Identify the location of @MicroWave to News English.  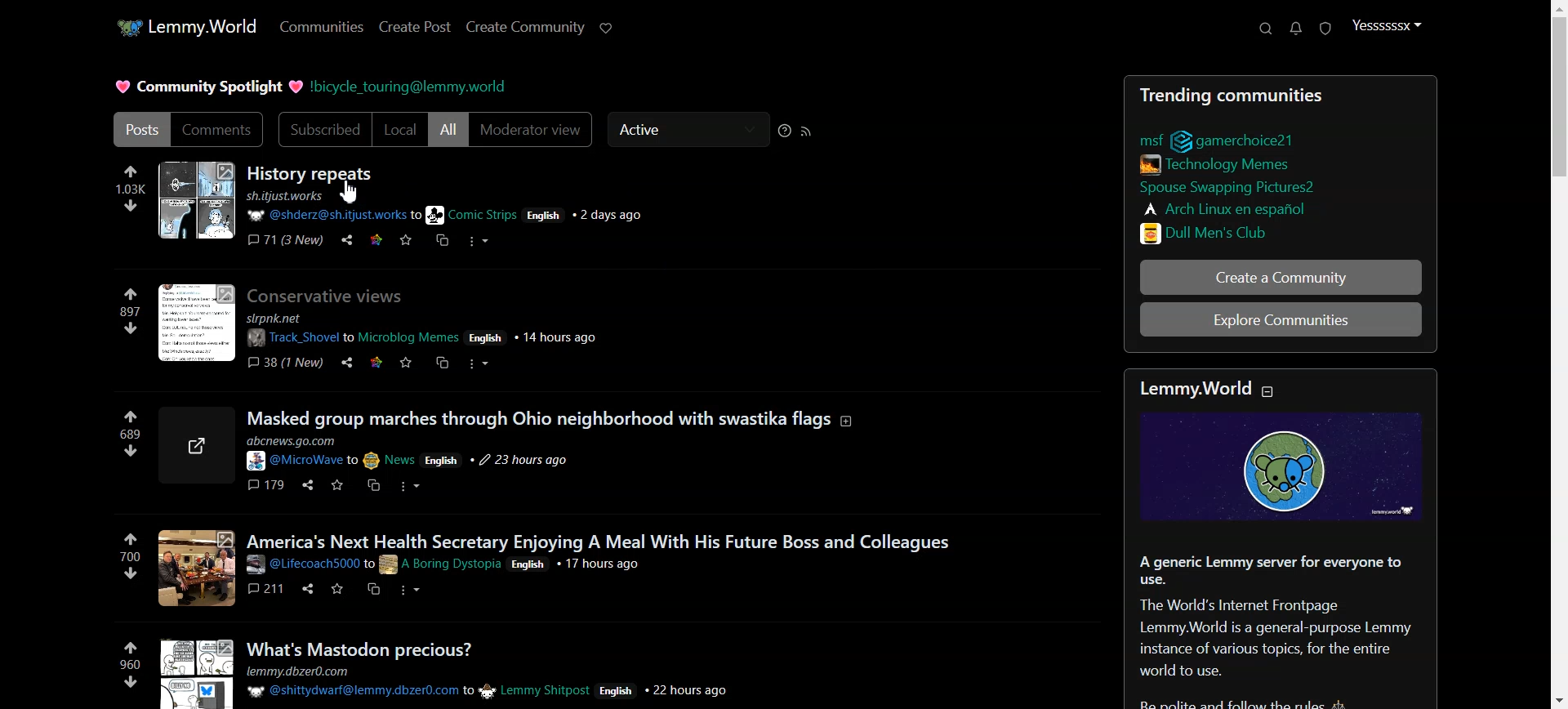
(352, 461).